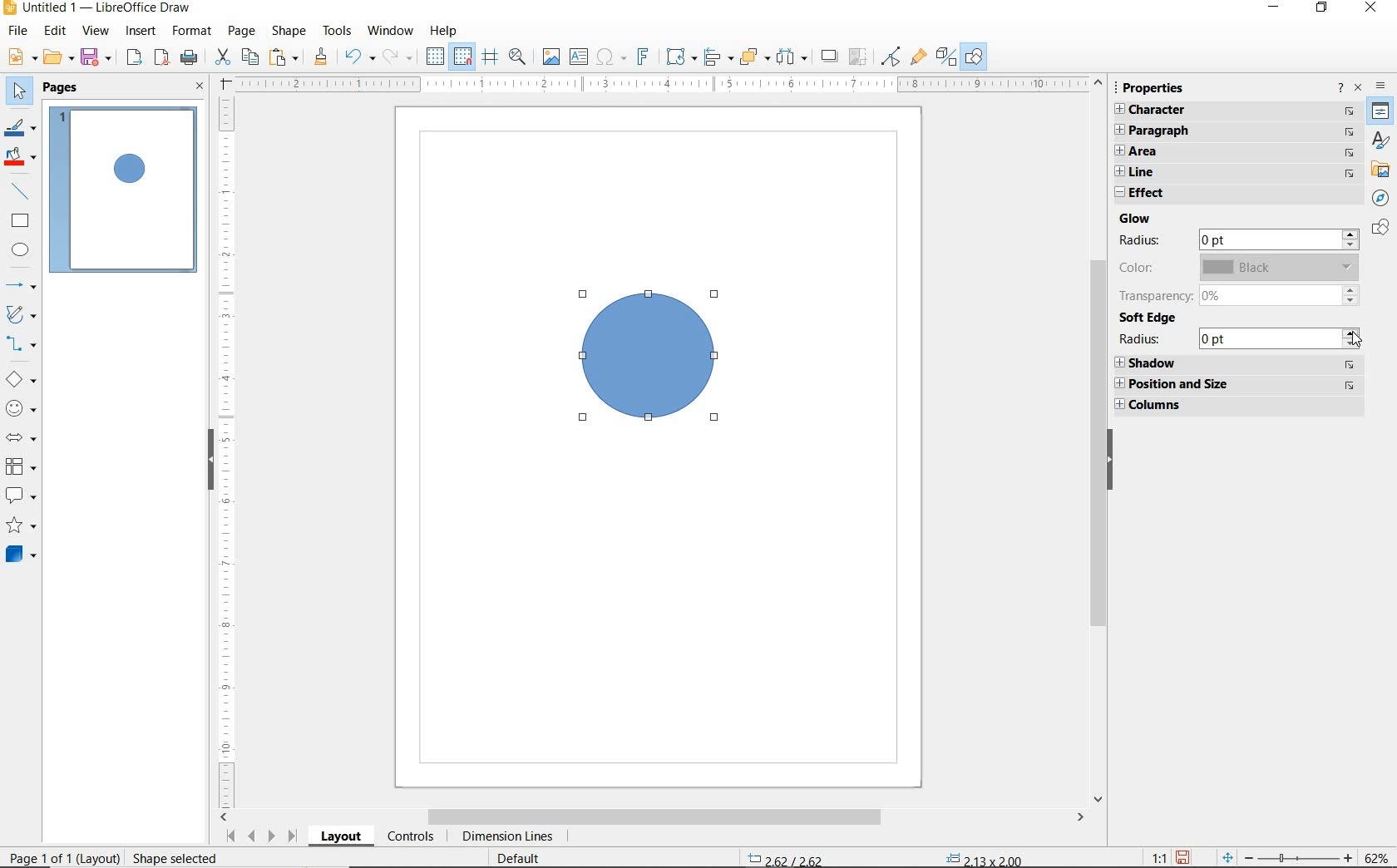  Describe the element at coordinates (58, 57) in the screenshot. I see `OPEN` at that location.